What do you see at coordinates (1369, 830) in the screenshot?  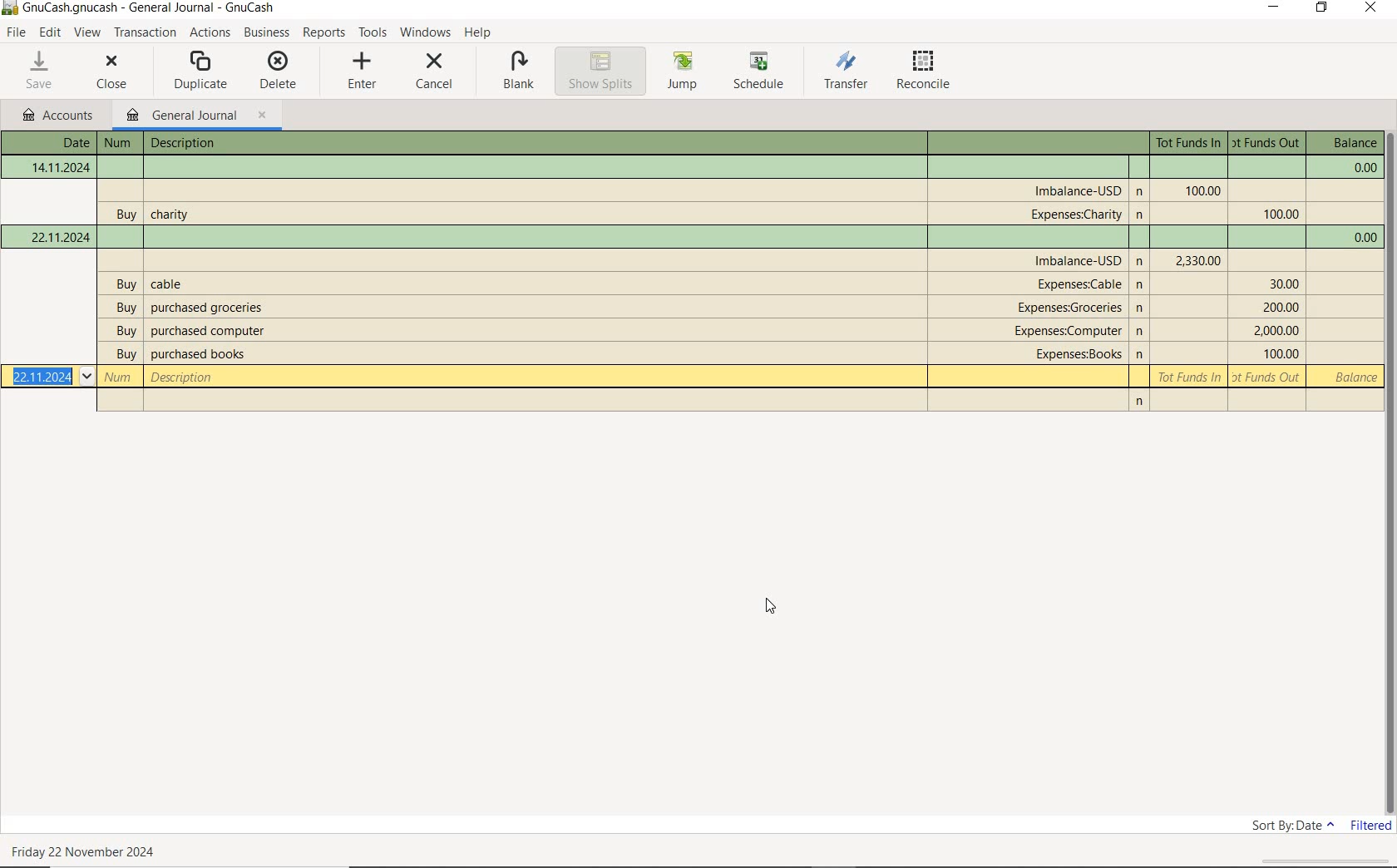 I see `FILTERED` at bounding box center [1369, 830].